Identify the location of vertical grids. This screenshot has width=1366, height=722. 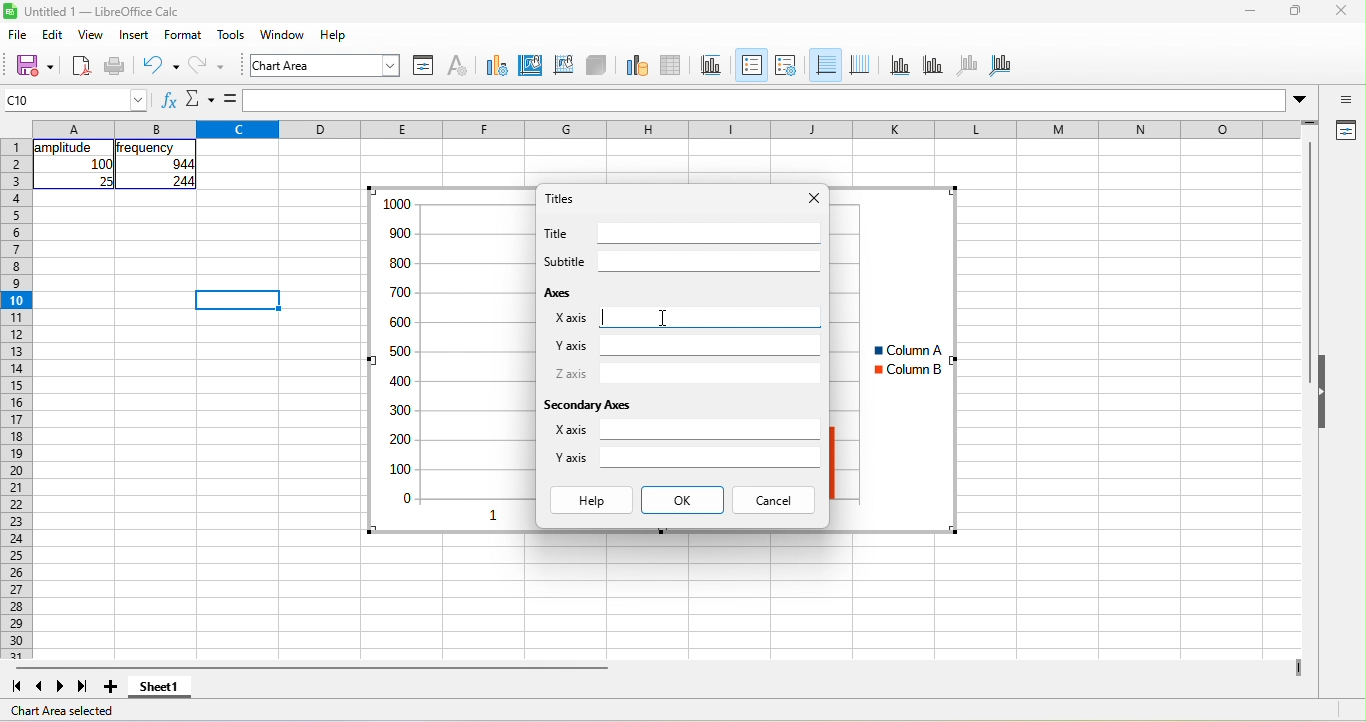
(860, 66).